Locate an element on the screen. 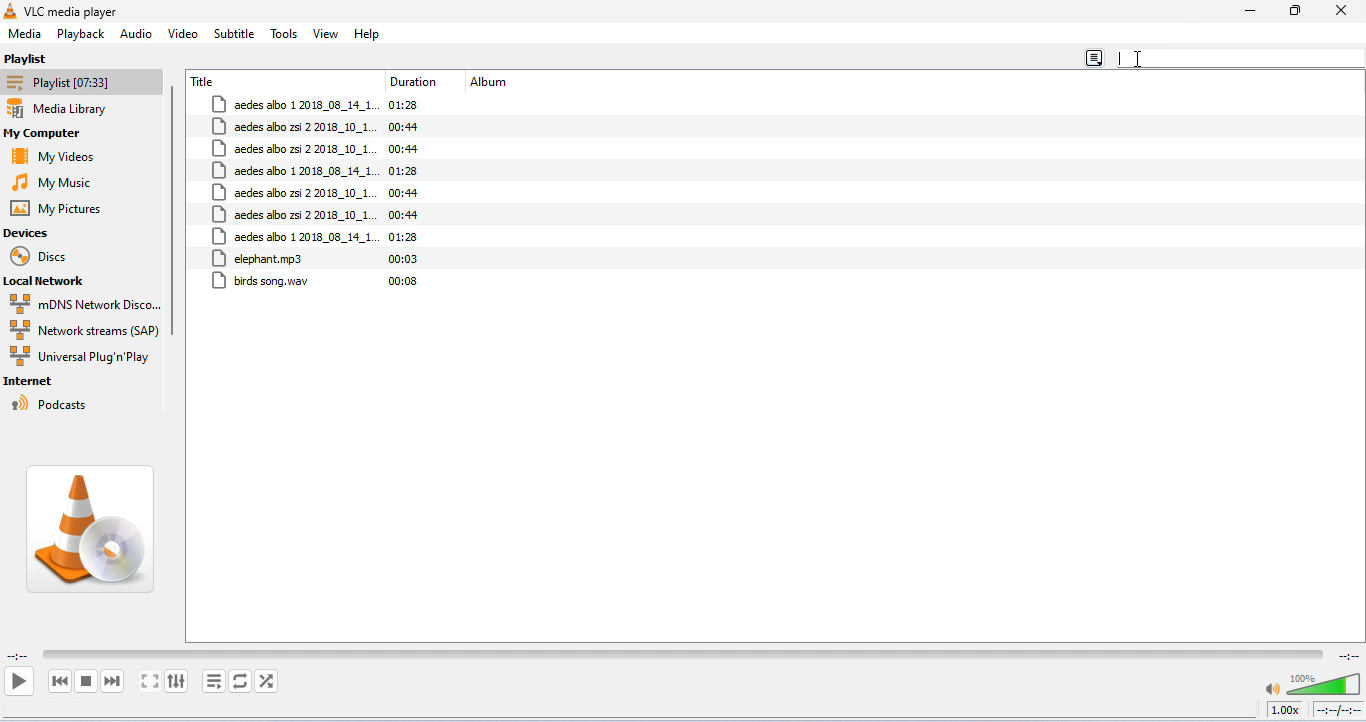 The width and height of the screenshot is (1366, 722). title is located at coordinates (205, 81).